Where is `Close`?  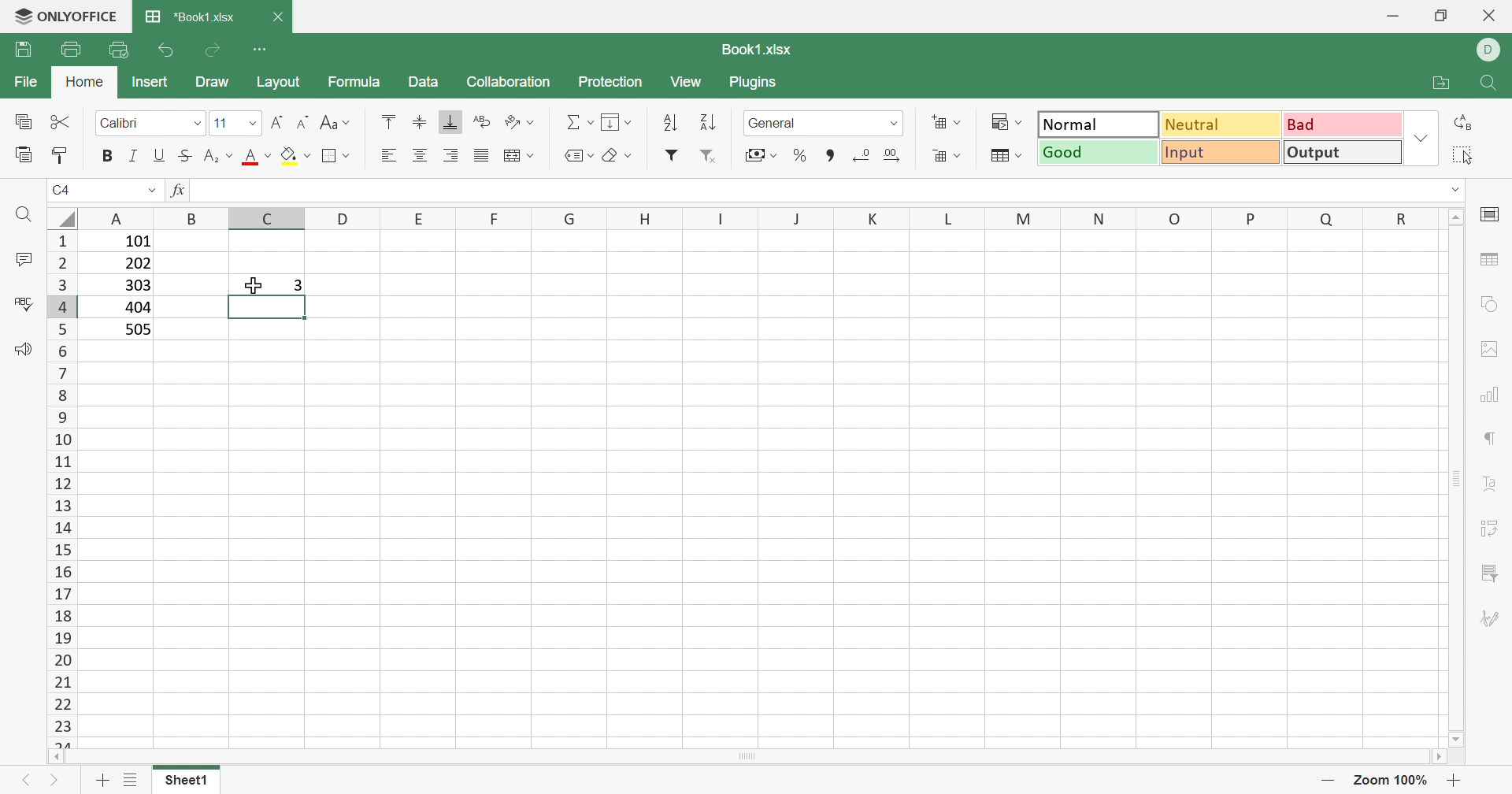
Close is located at coordinates (1488, 17).